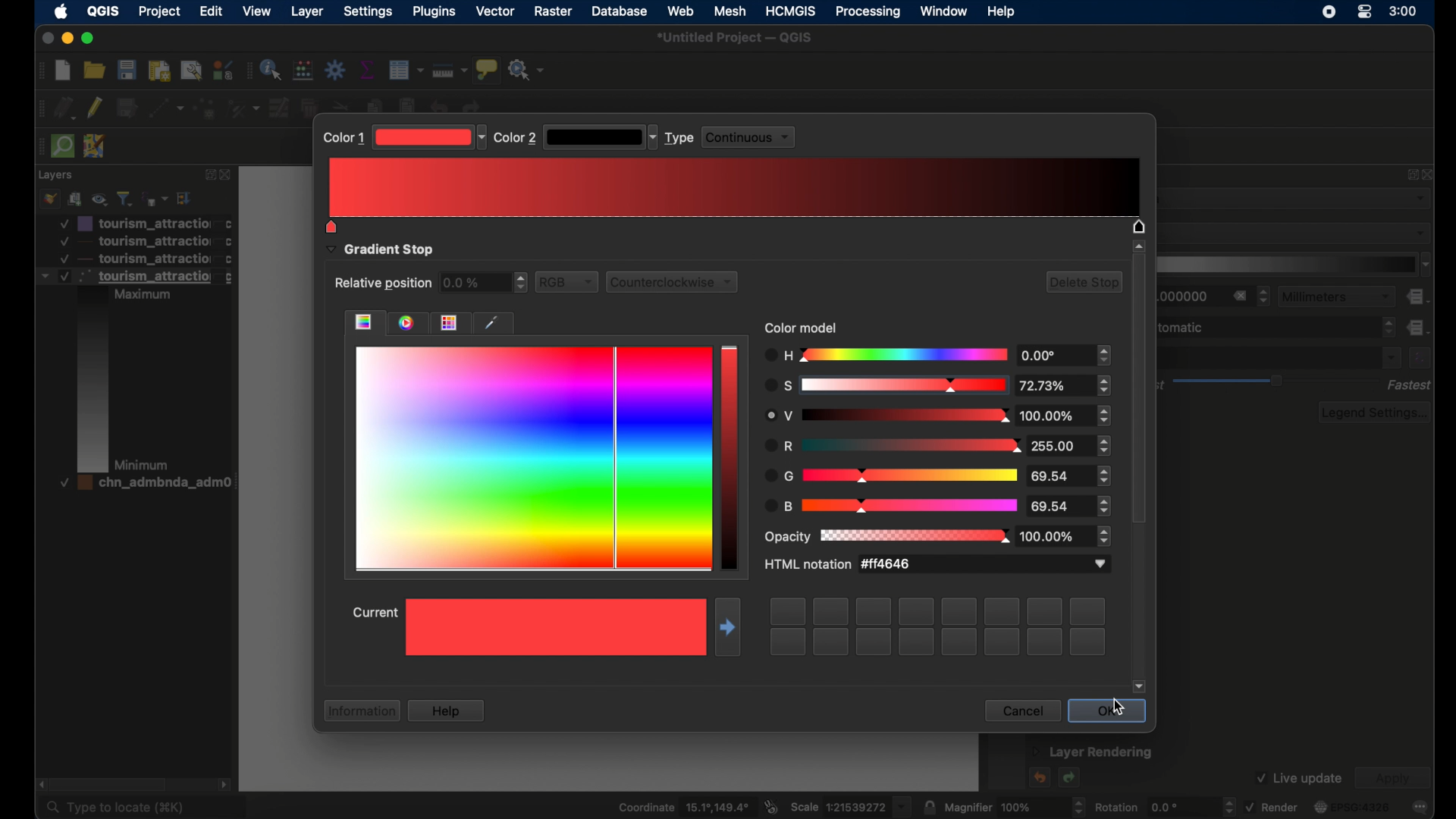  Describe the element at coordinates (943, 11) in the screenshot. I see `window` at that location.